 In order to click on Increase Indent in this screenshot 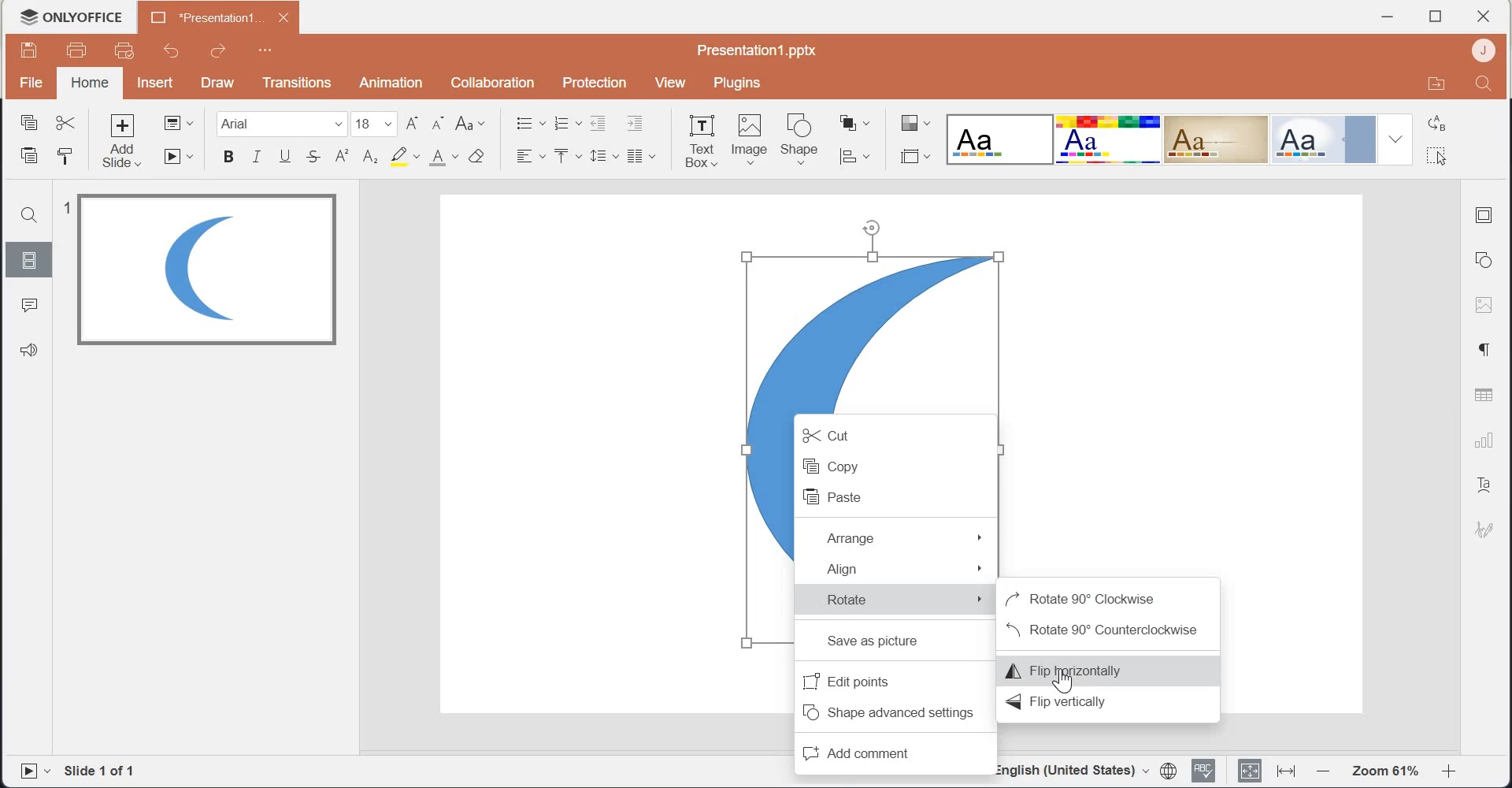, I will do `click(634, 124)`.